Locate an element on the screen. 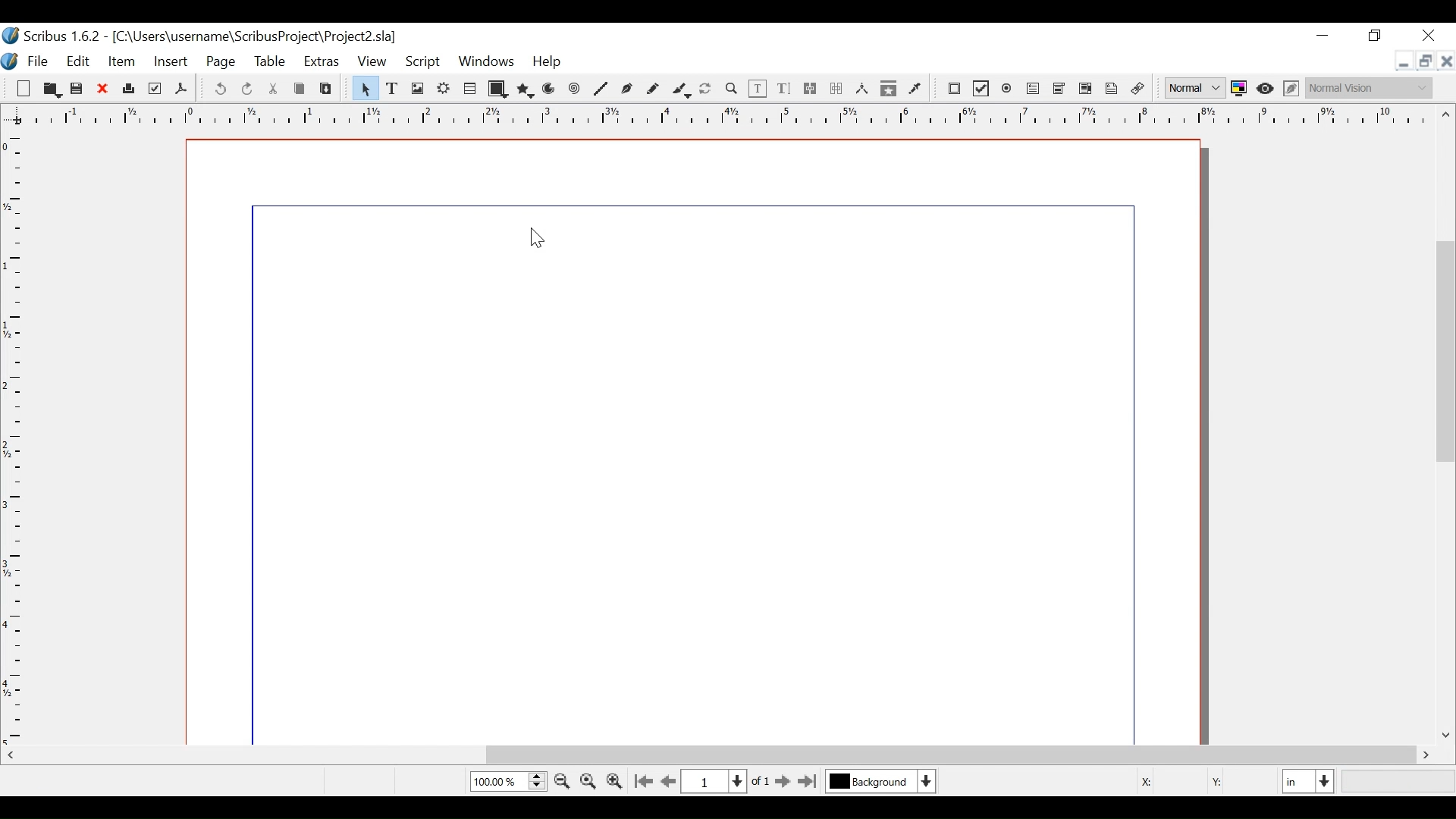 The height and width of the screenshot is (819, 1456). Preflight Verifier is located at coordinates (156, 90).